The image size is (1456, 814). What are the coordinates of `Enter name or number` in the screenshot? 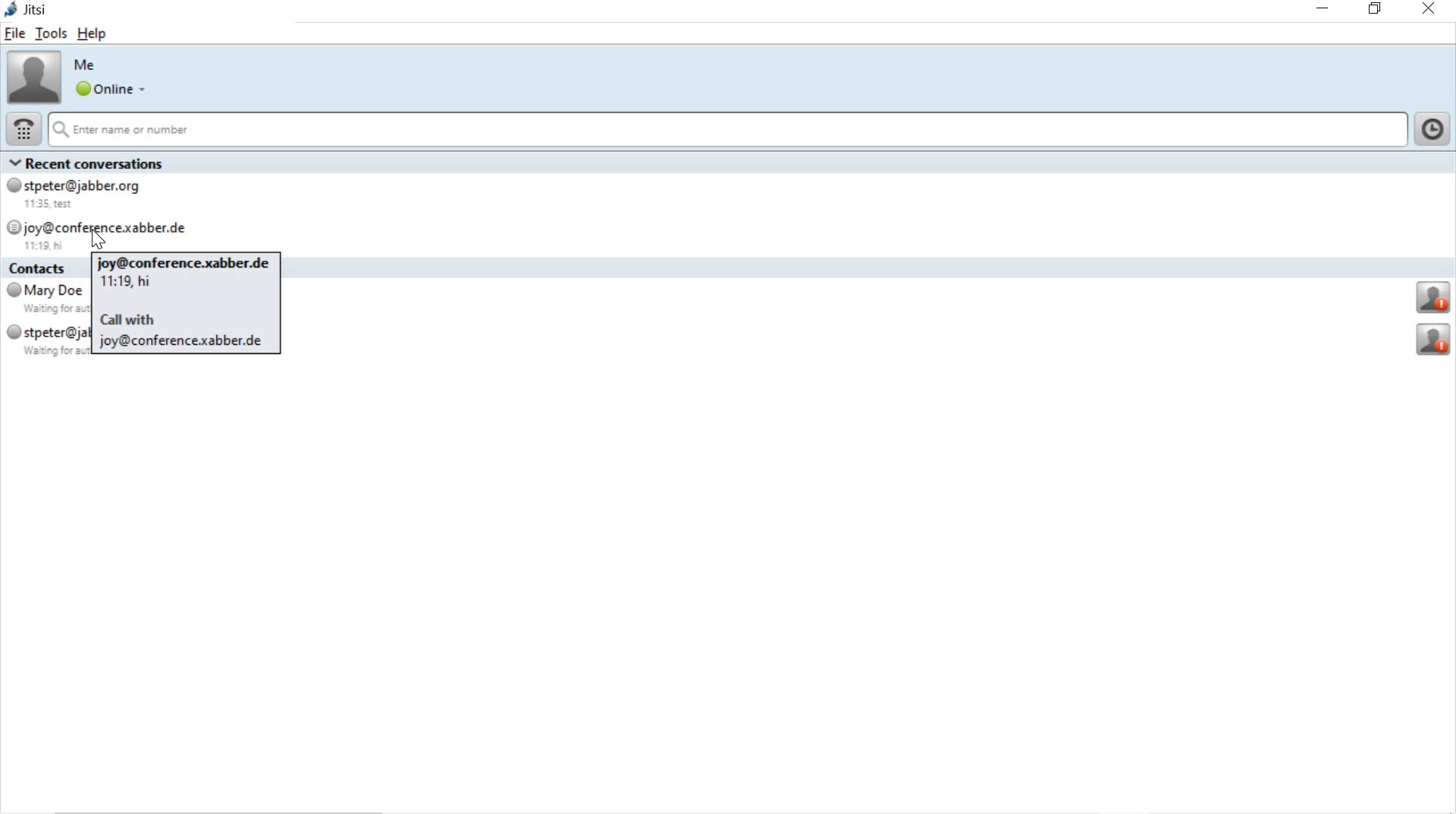 It's located at (726, 130).